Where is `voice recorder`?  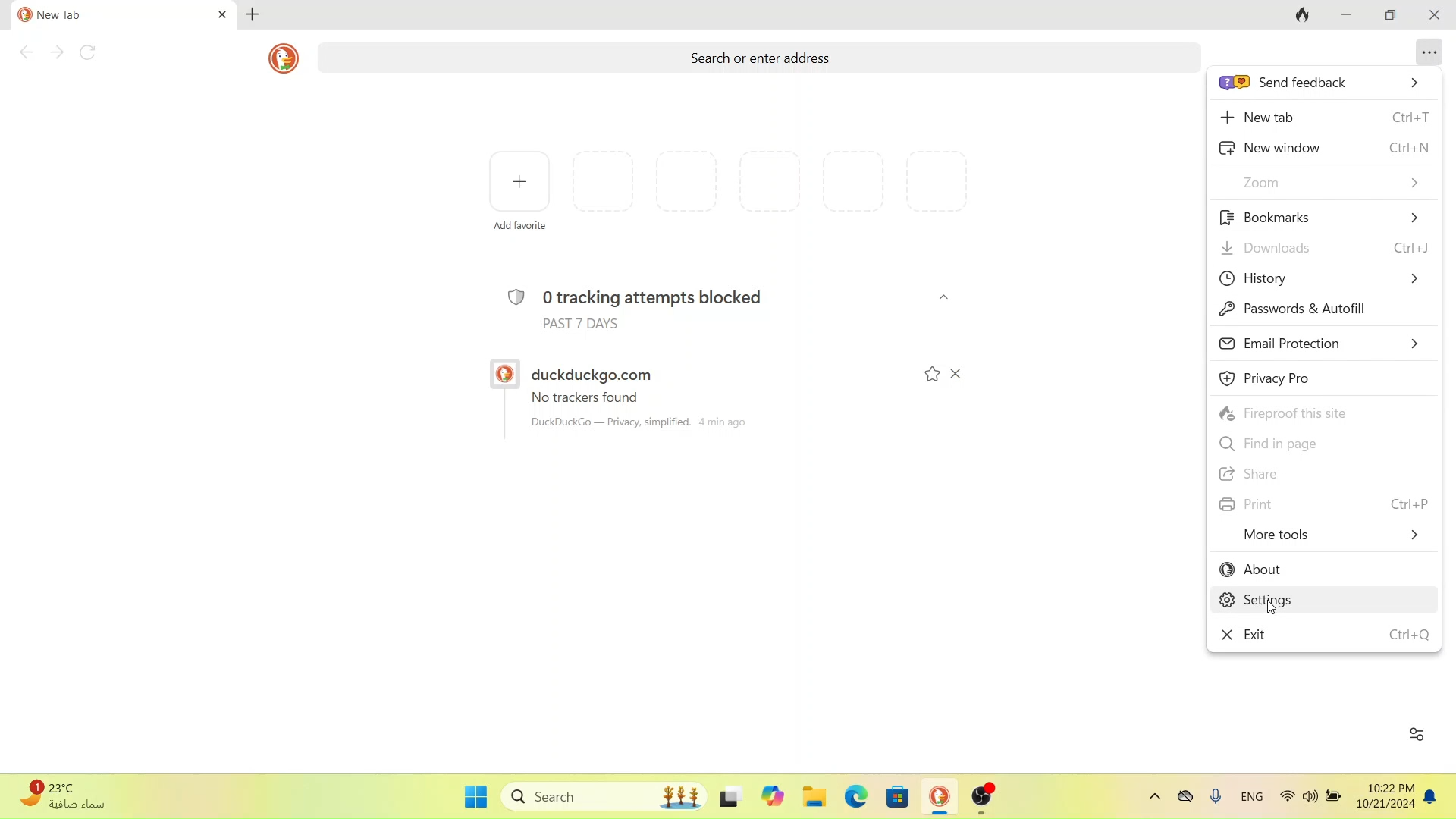 voice recorder is located at coordinates (1219, 802).